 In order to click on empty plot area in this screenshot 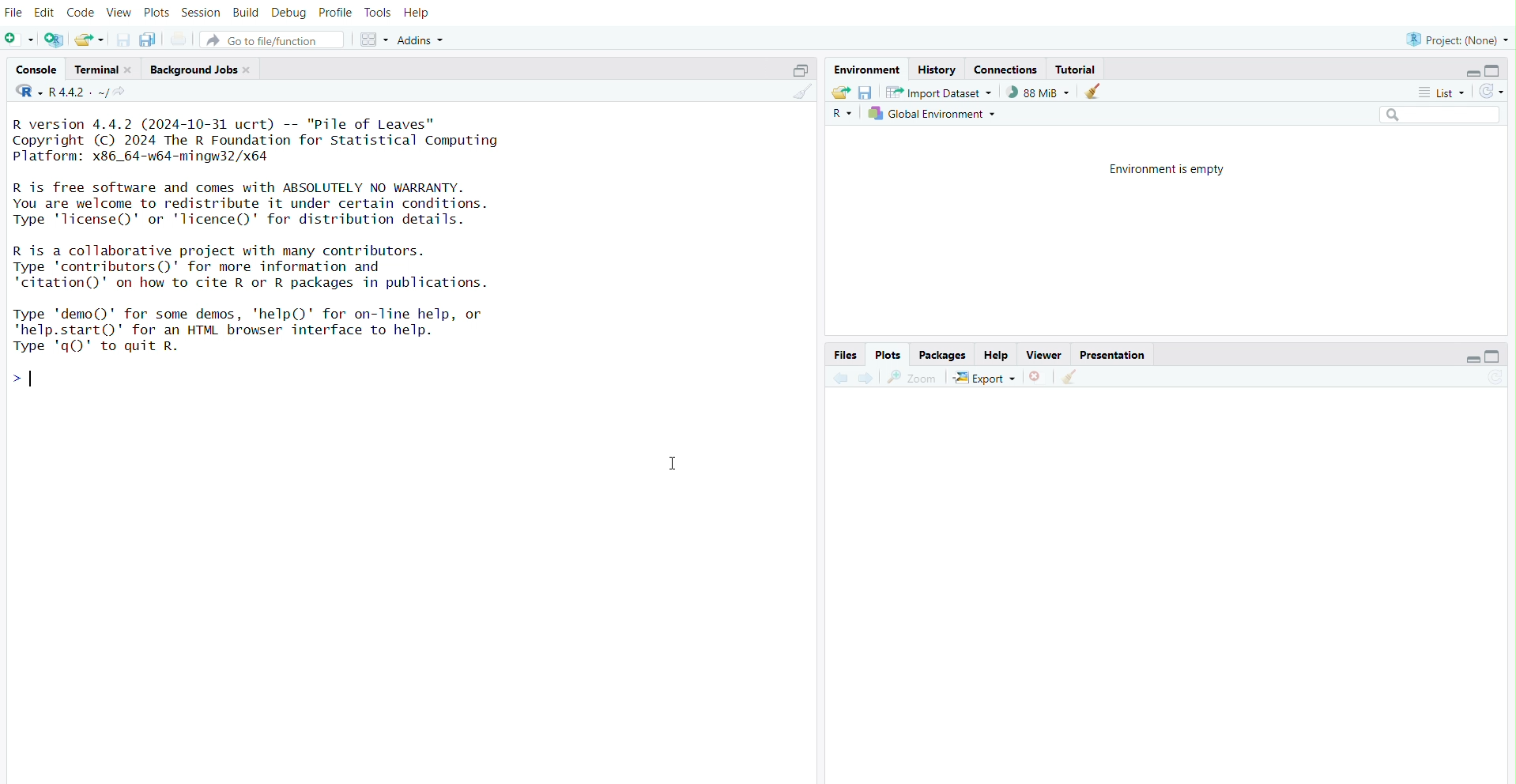, I will do `click(1168, 589)`.